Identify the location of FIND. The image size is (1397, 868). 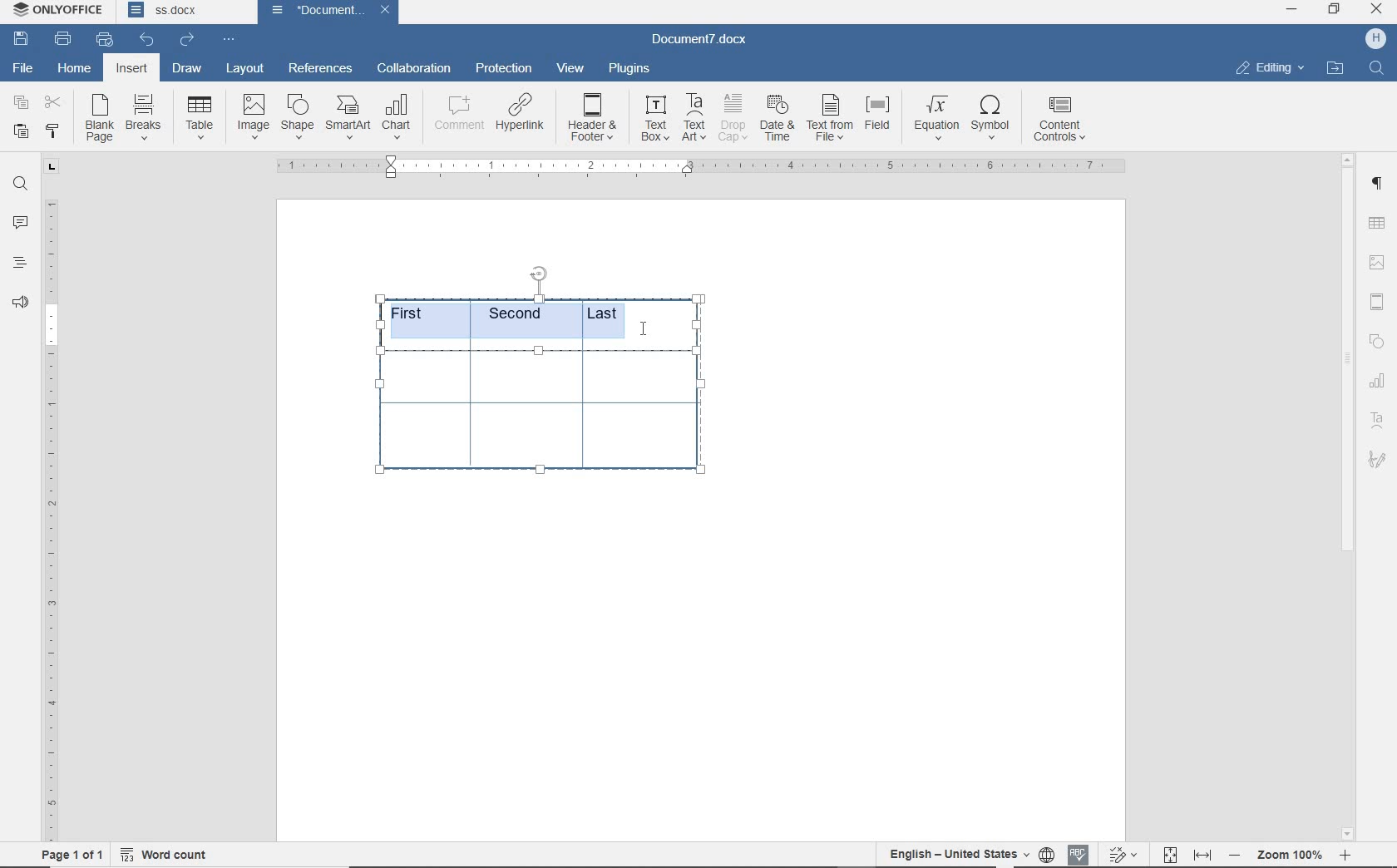
(1378, 68).